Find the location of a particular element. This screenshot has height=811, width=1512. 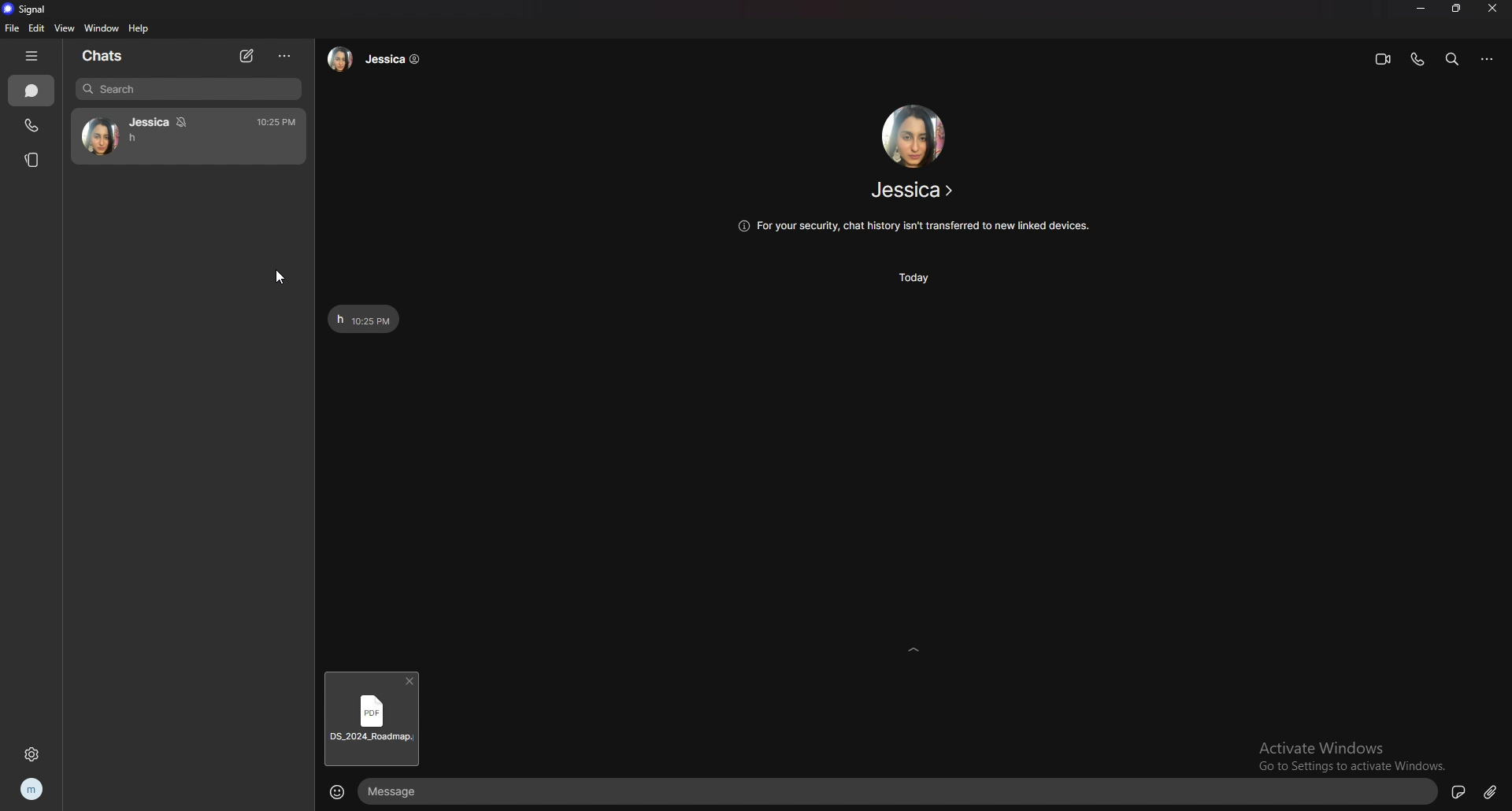

close is located at coordinates (1494, 9).